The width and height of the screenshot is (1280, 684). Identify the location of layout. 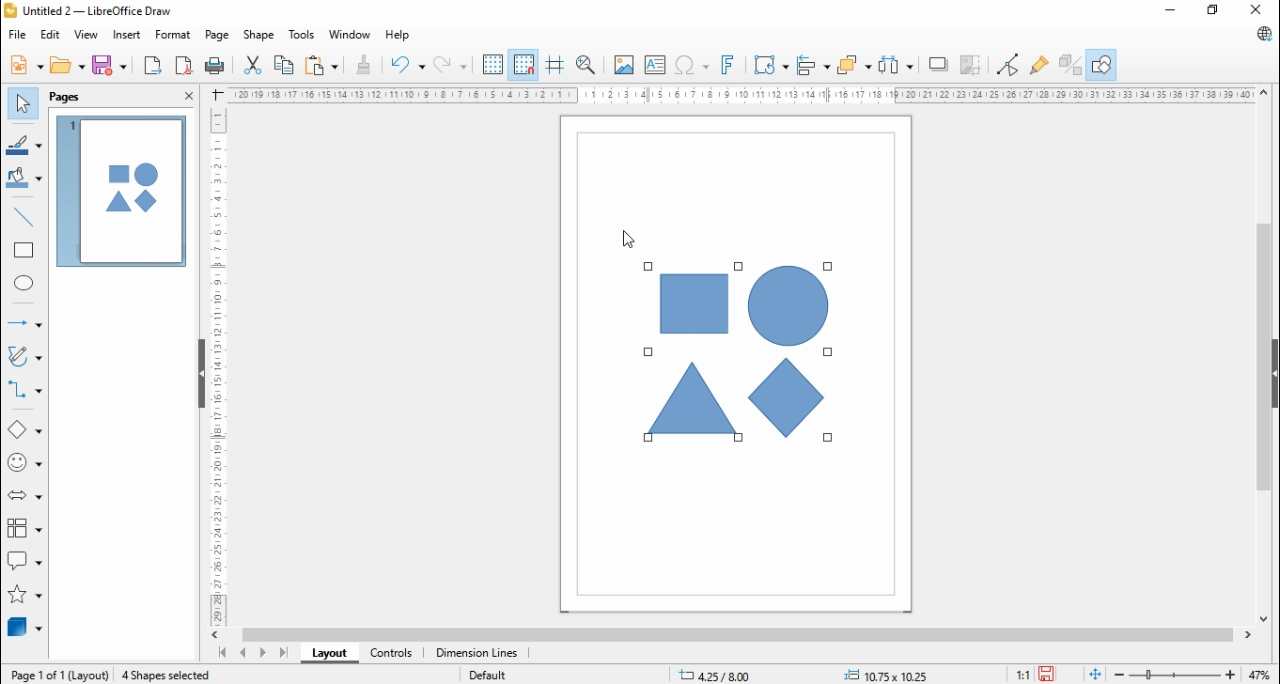
(325, 654).